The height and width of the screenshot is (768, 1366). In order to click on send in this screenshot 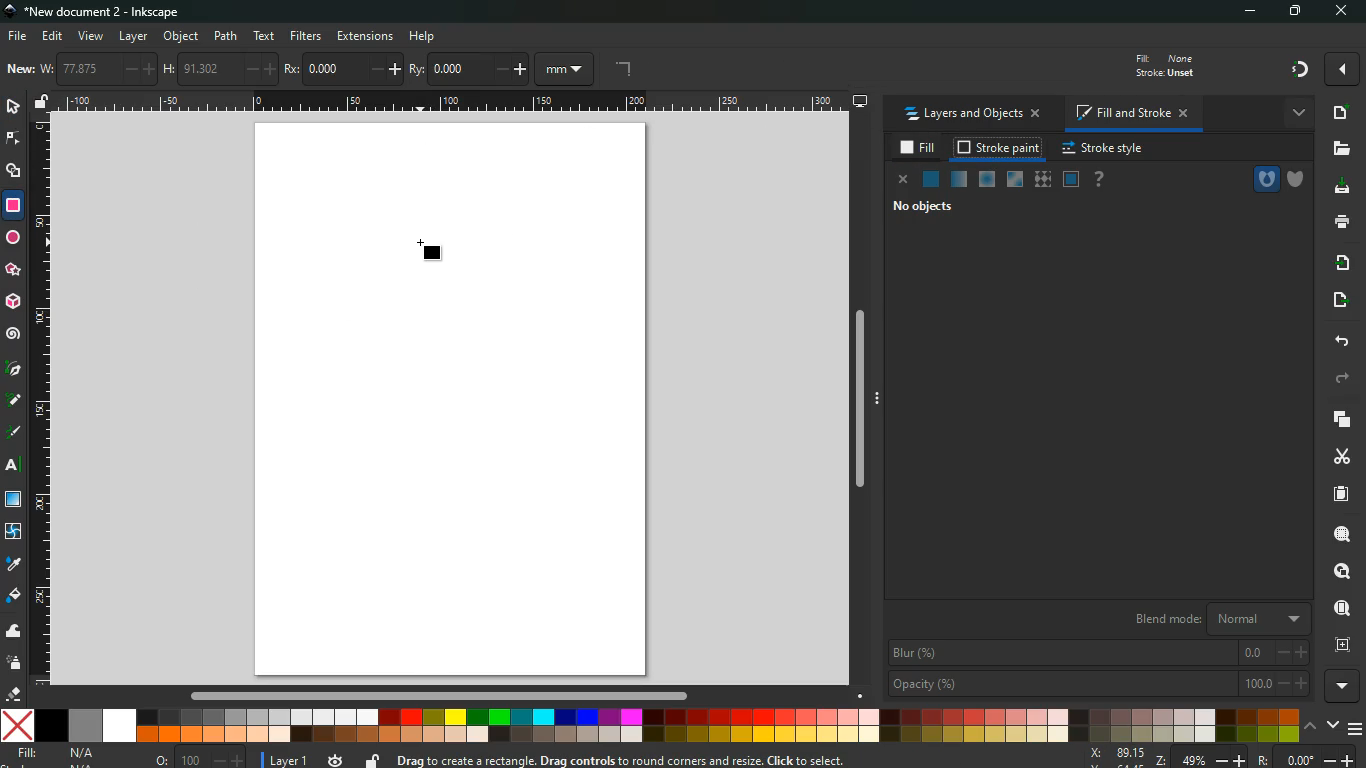, I will do `click(1339, 302)`.